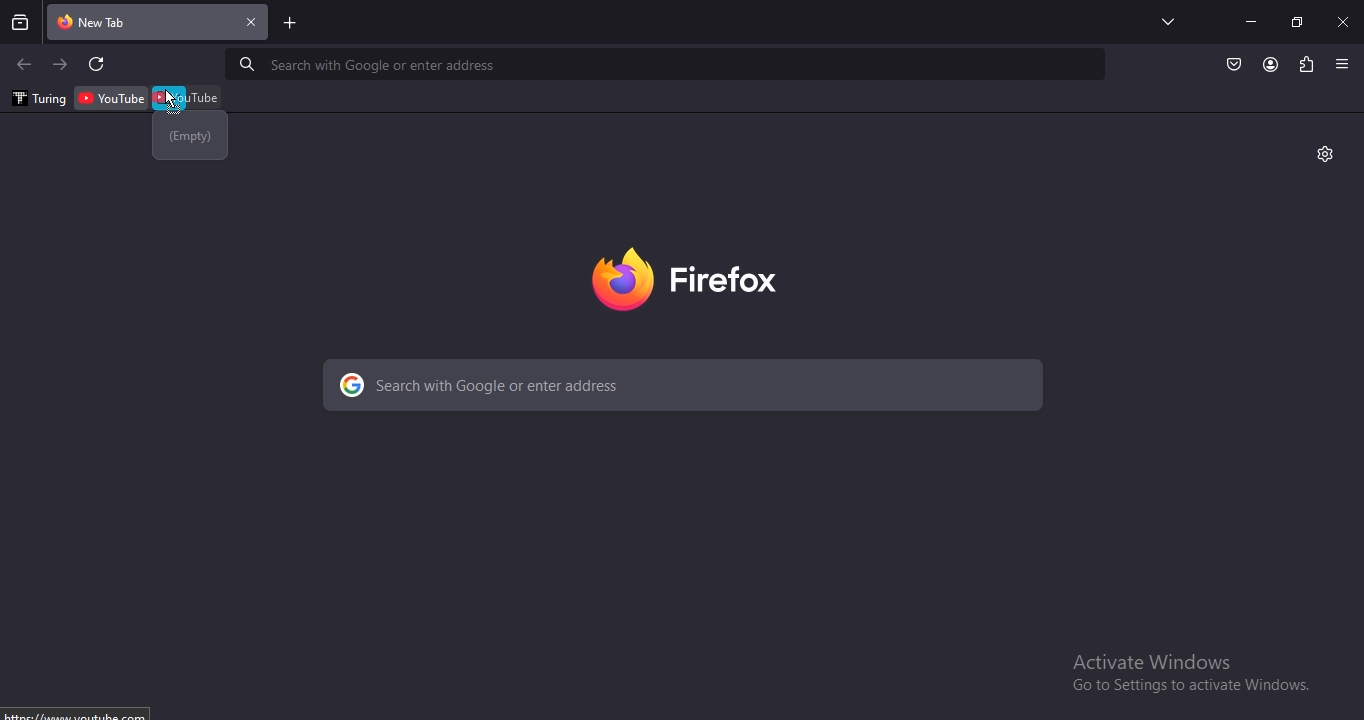  I want to click on refresh, so click(98, 65).